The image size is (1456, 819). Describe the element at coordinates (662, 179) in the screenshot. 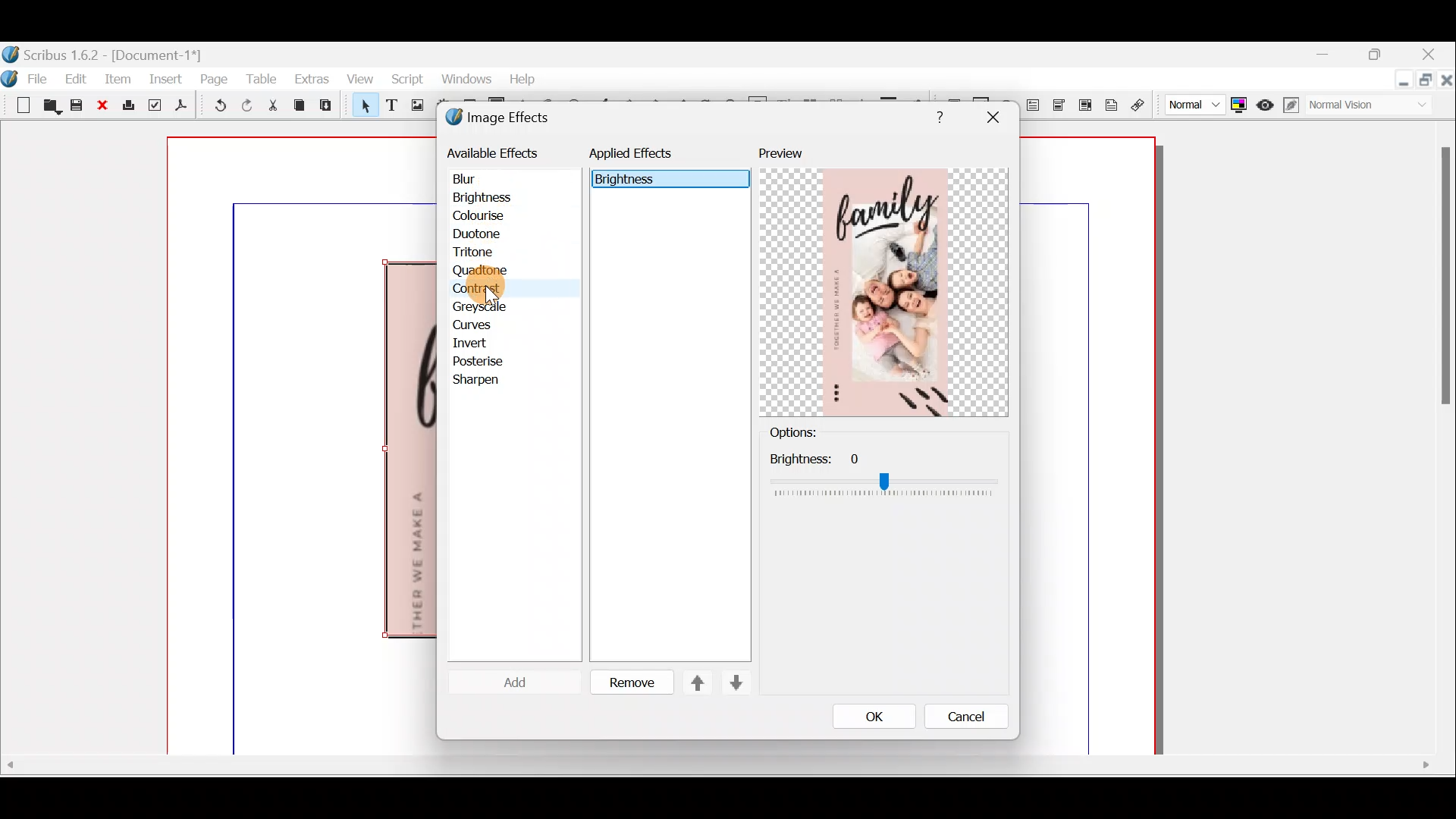

I see `Brightness` at that location.